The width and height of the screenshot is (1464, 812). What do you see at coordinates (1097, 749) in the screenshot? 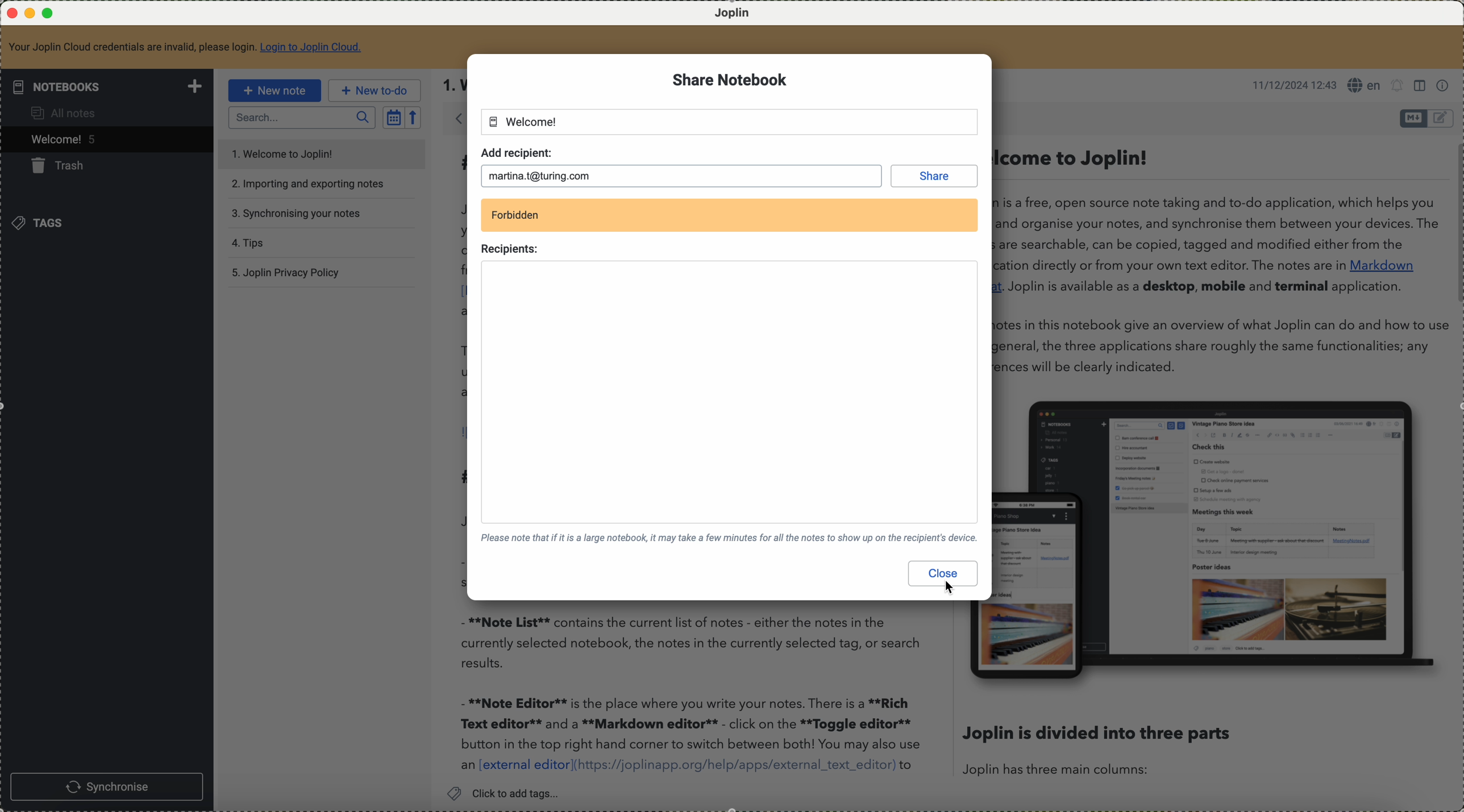
I see `Joplin is divided into three parts Joplin has three main columns:` at bounding box center [1097, 749].